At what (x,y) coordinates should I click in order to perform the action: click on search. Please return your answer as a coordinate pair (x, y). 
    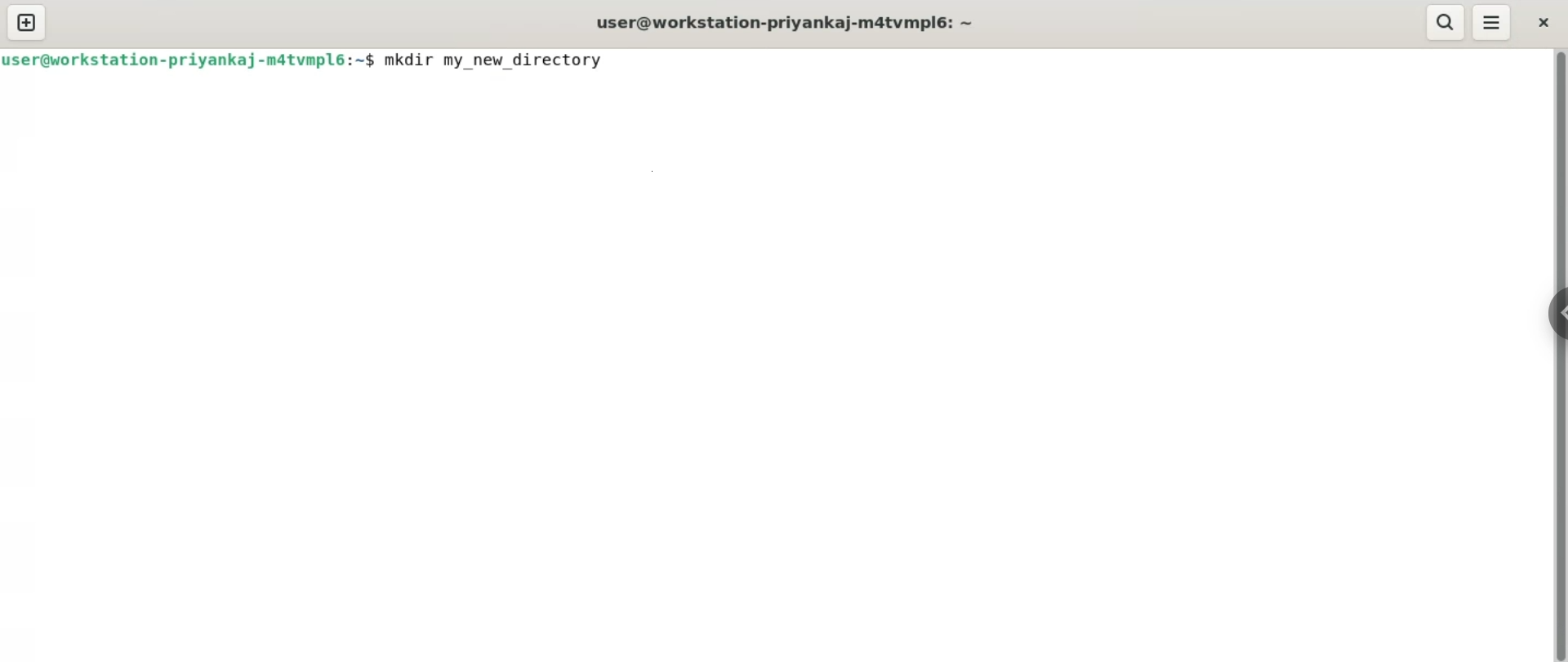
    Looking at the image, I should click on (1445, 22).